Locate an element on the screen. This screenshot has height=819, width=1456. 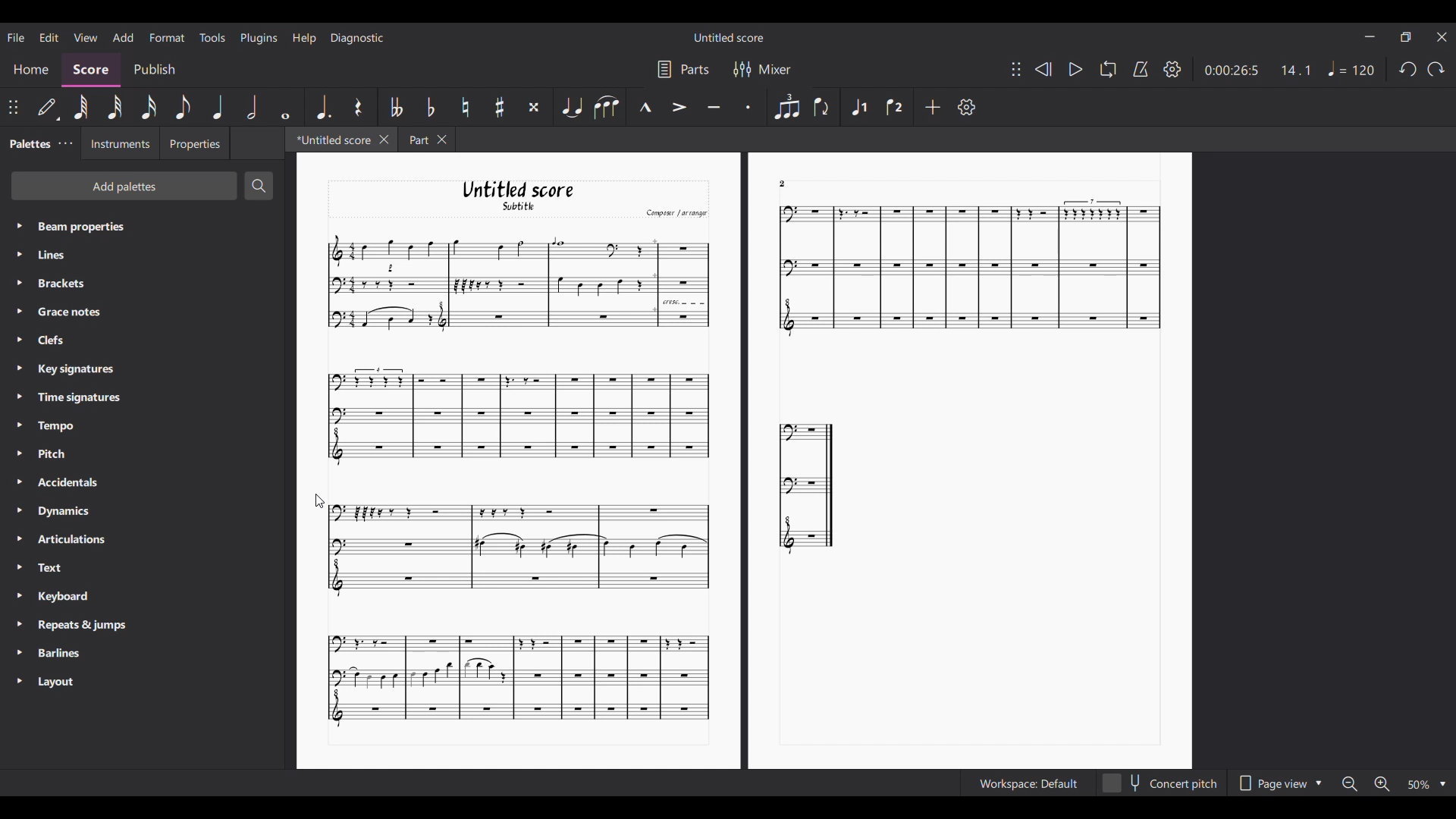
16th note is located at coordinates (149, 107).